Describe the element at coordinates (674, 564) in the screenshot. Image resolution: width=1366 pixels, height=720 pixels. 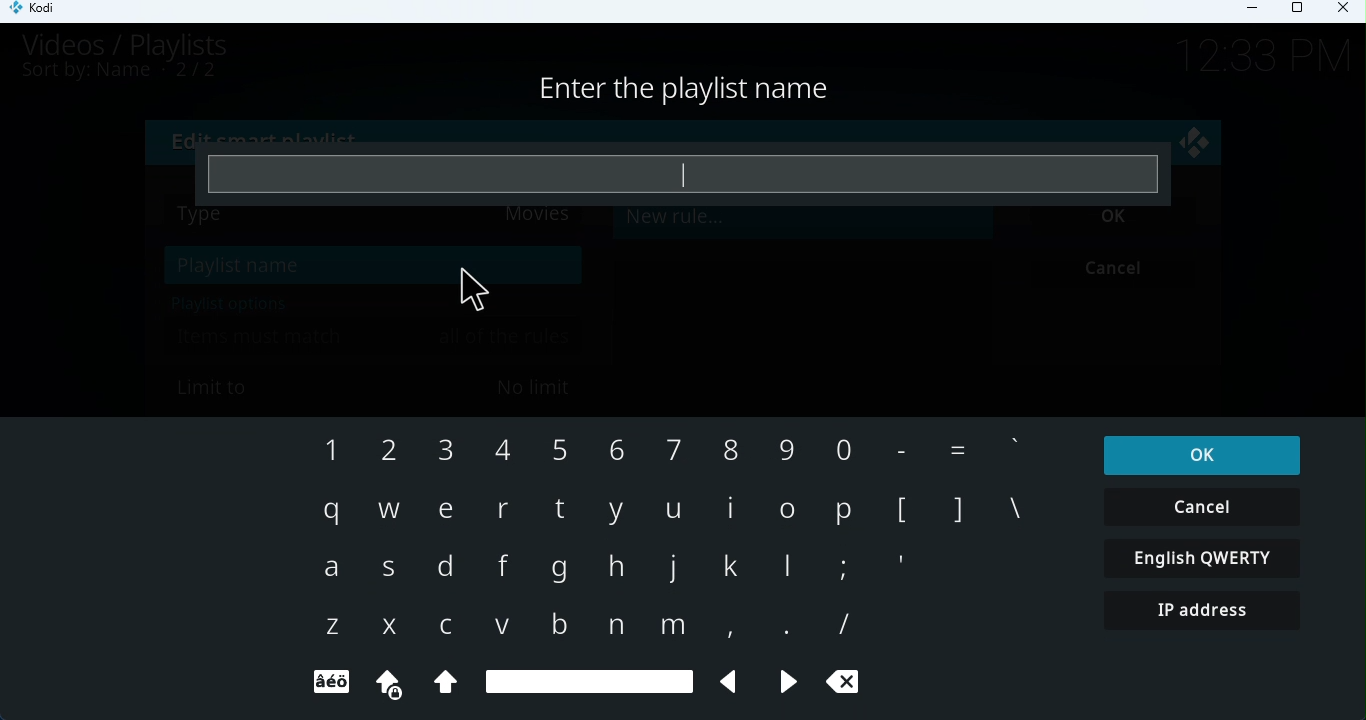
I see `Keyboard` at that location.